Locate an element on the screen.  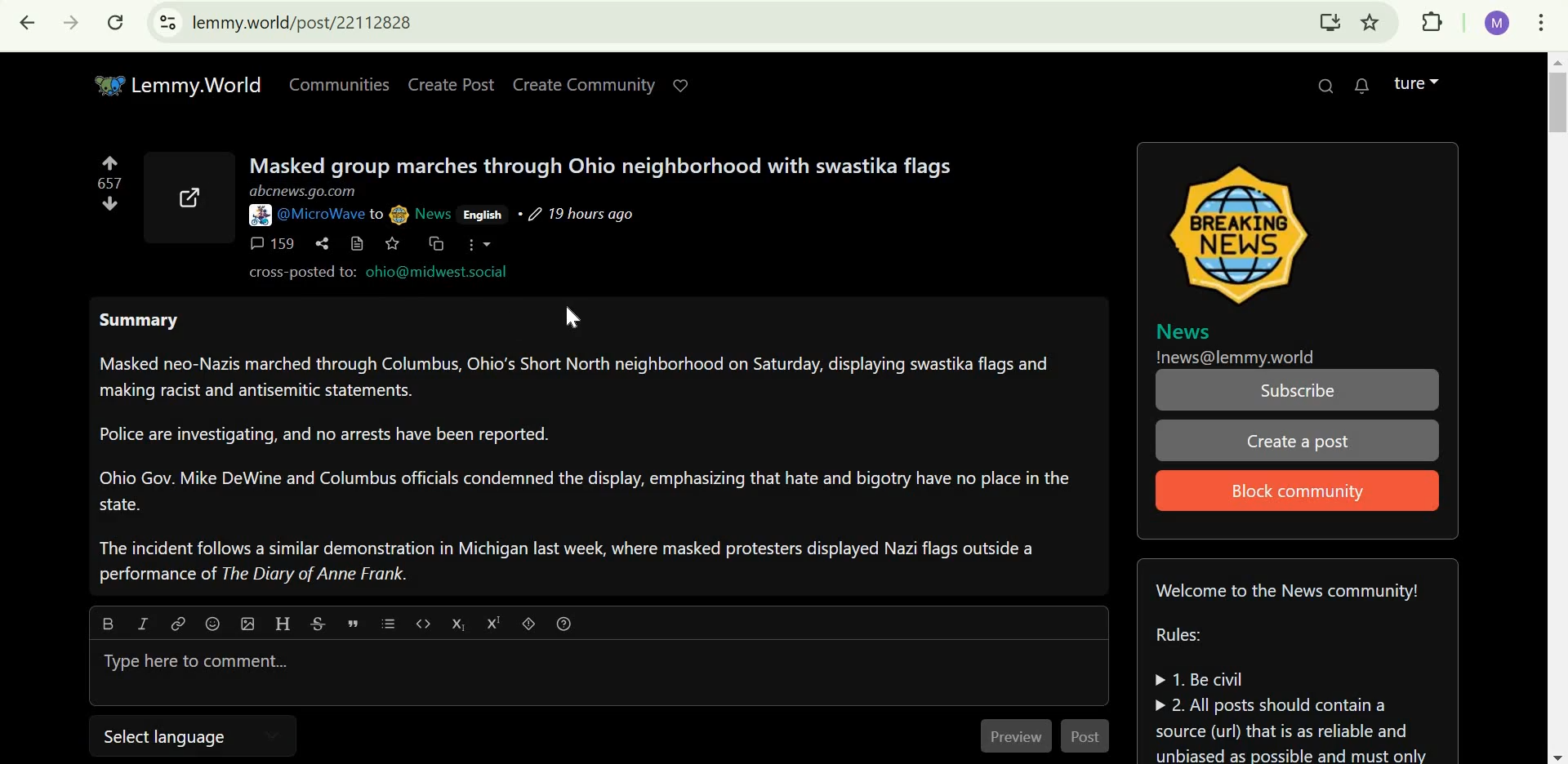
numbers is located at coordinates (113, 184).